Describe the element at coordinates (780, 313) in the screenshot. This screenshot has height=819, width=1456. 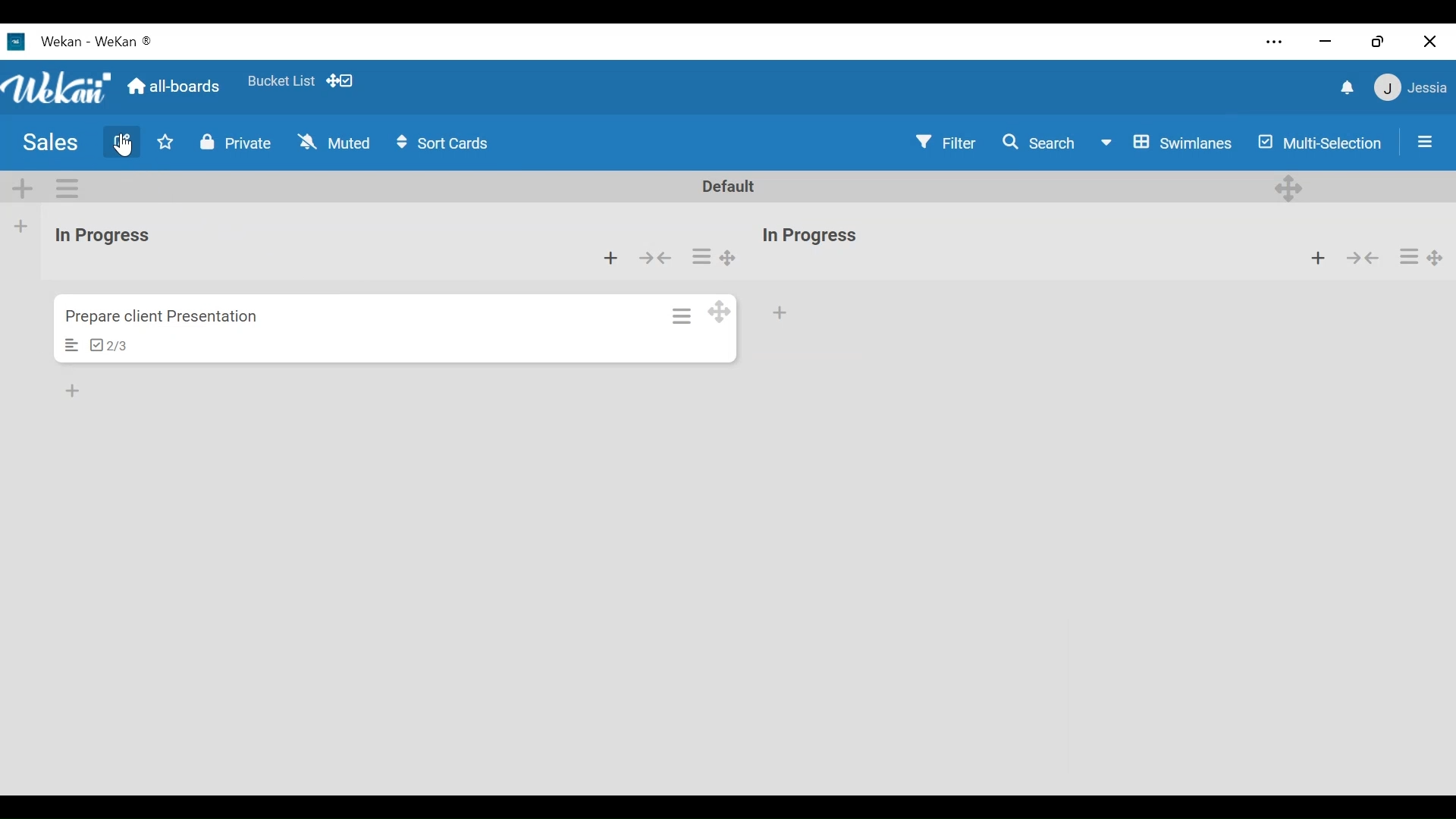
I see `Add card at the bottom of the list` at that location.